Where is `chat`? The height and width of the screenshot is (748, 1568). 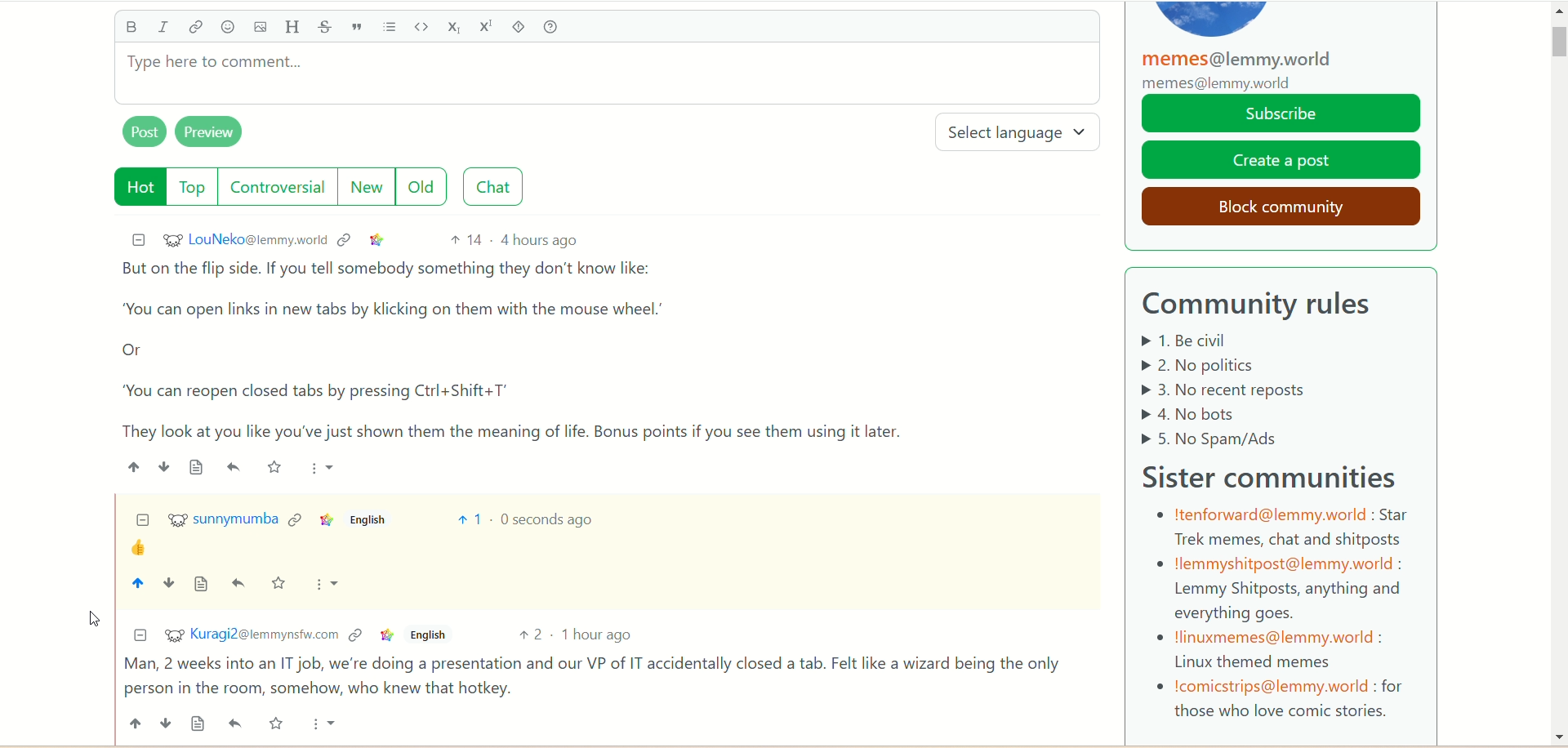
chat is located at coordinates (499, 187).